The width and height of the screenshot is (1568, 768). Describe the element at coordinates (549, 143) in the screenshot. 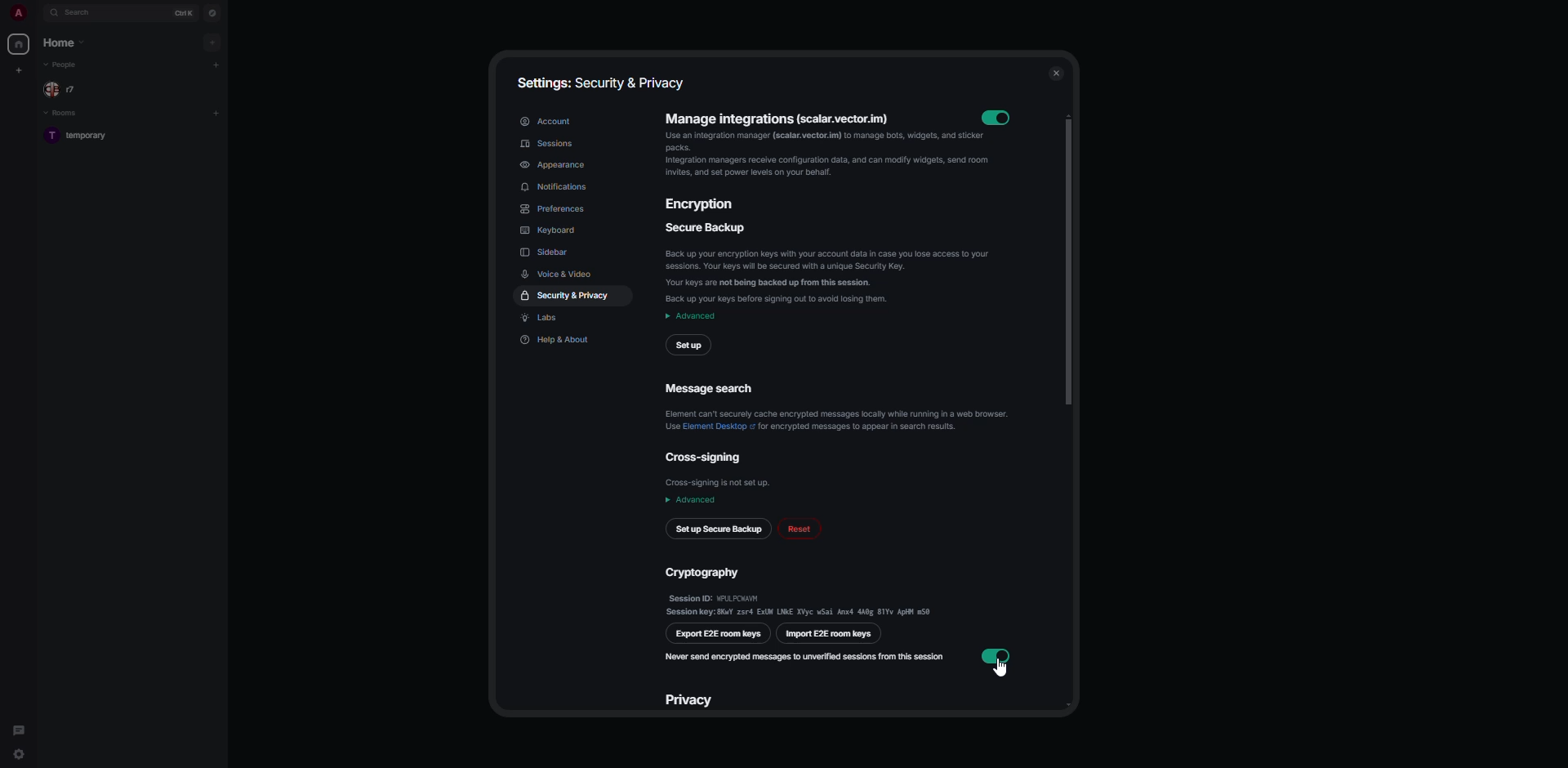

I see `sessions` at that location.